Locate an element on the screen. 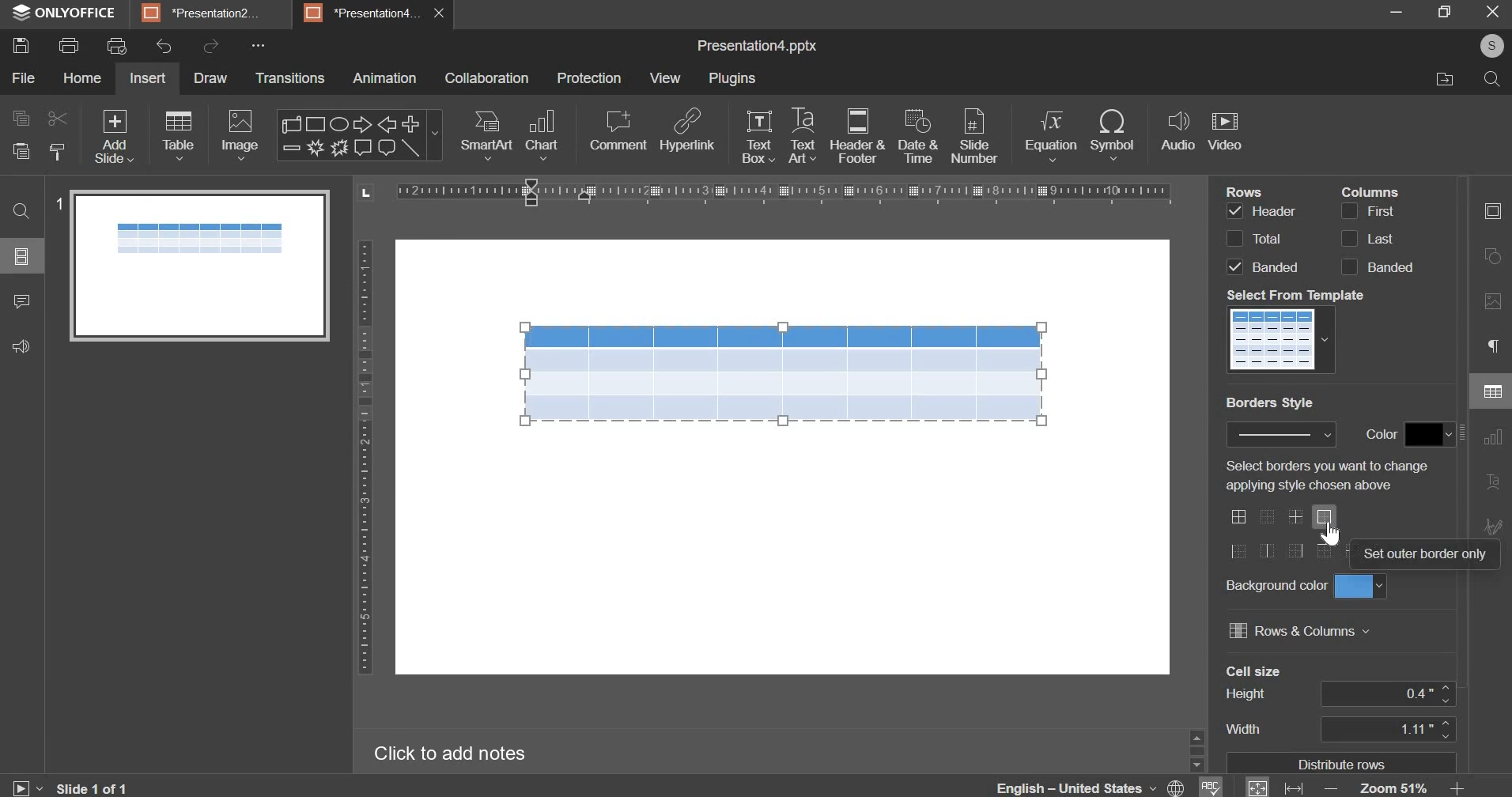 The image size is (1512, 797). save is located at coordinates (21, 46).